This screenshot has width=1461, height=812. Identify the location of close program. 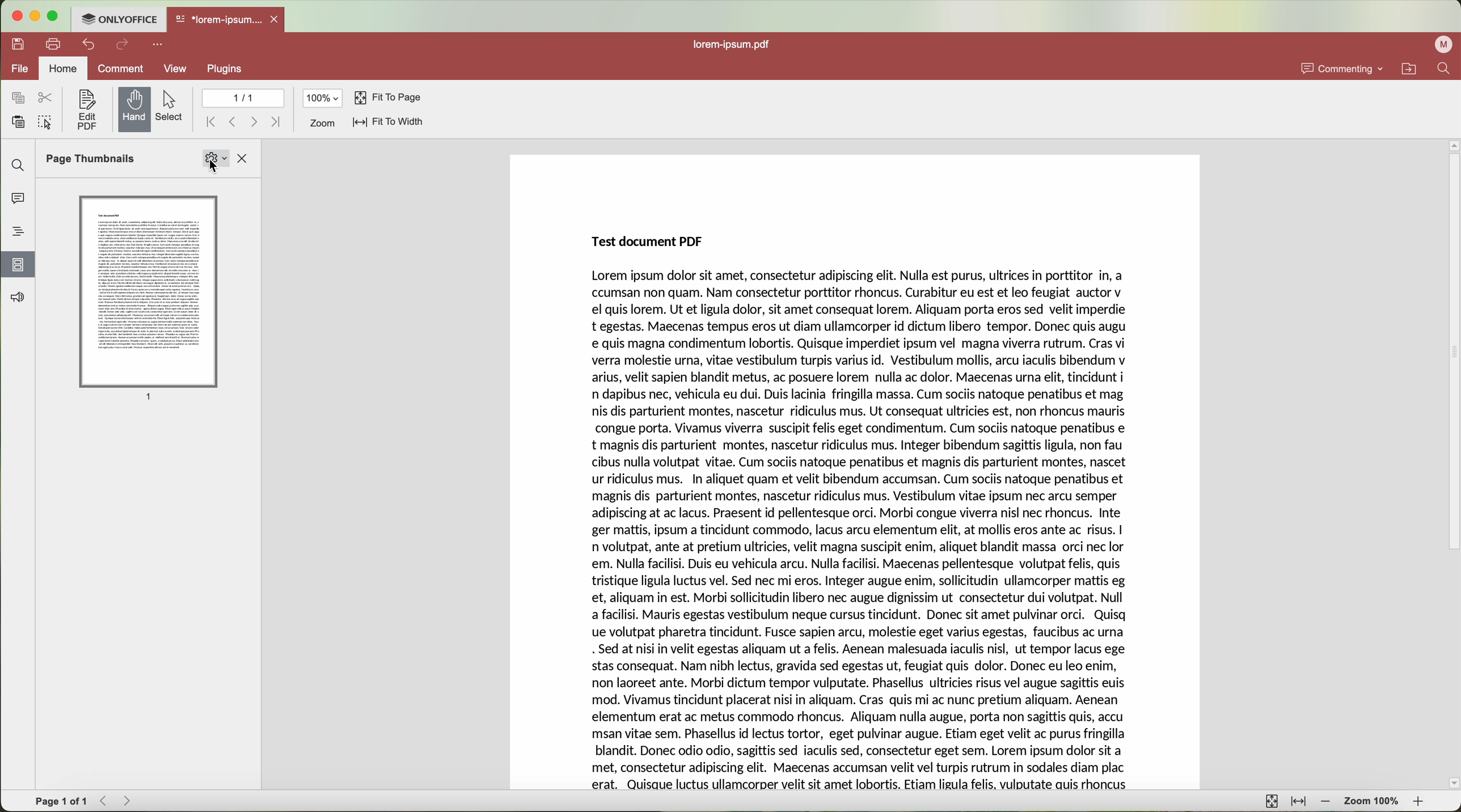
(13, 16).